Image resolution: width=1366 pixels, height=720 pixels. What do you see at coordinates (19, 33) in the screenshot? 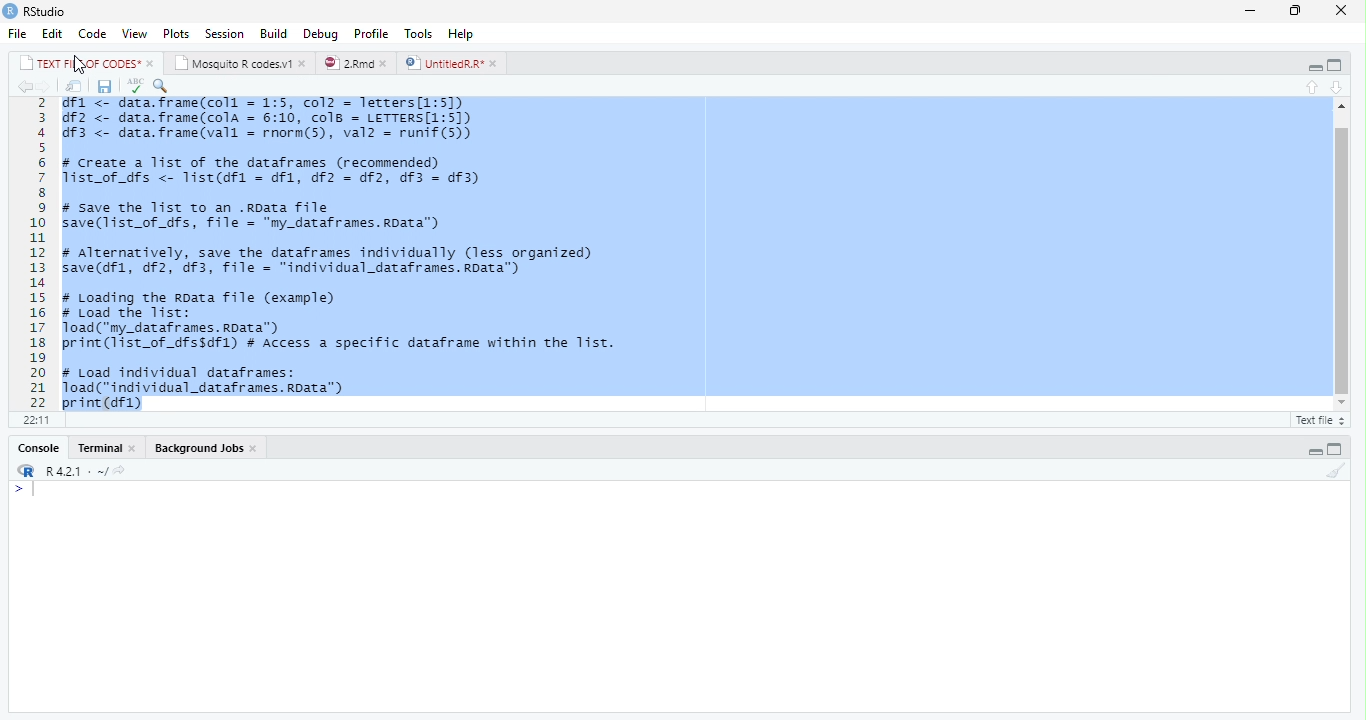
I see `File` at bounding box center [19, 33].